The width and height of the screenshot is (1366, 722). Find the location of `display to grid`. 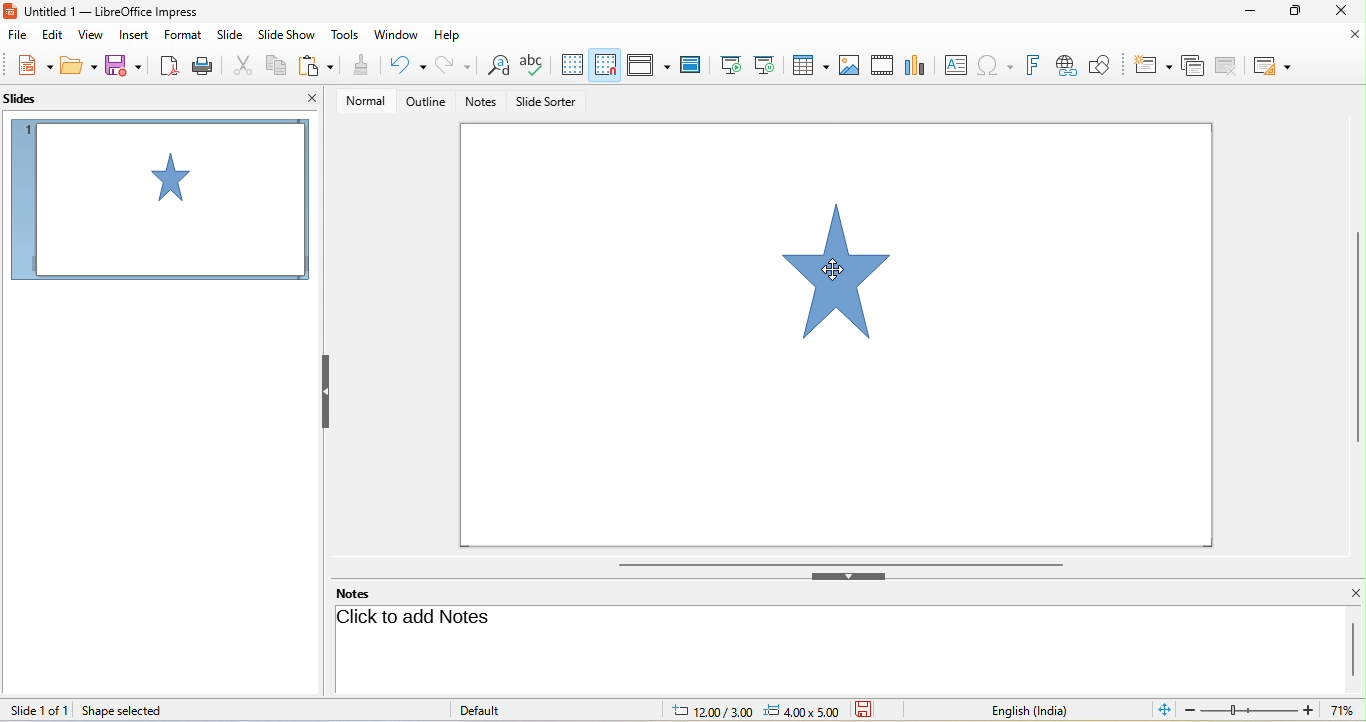

display to grid is located at coordinates (575, 63).